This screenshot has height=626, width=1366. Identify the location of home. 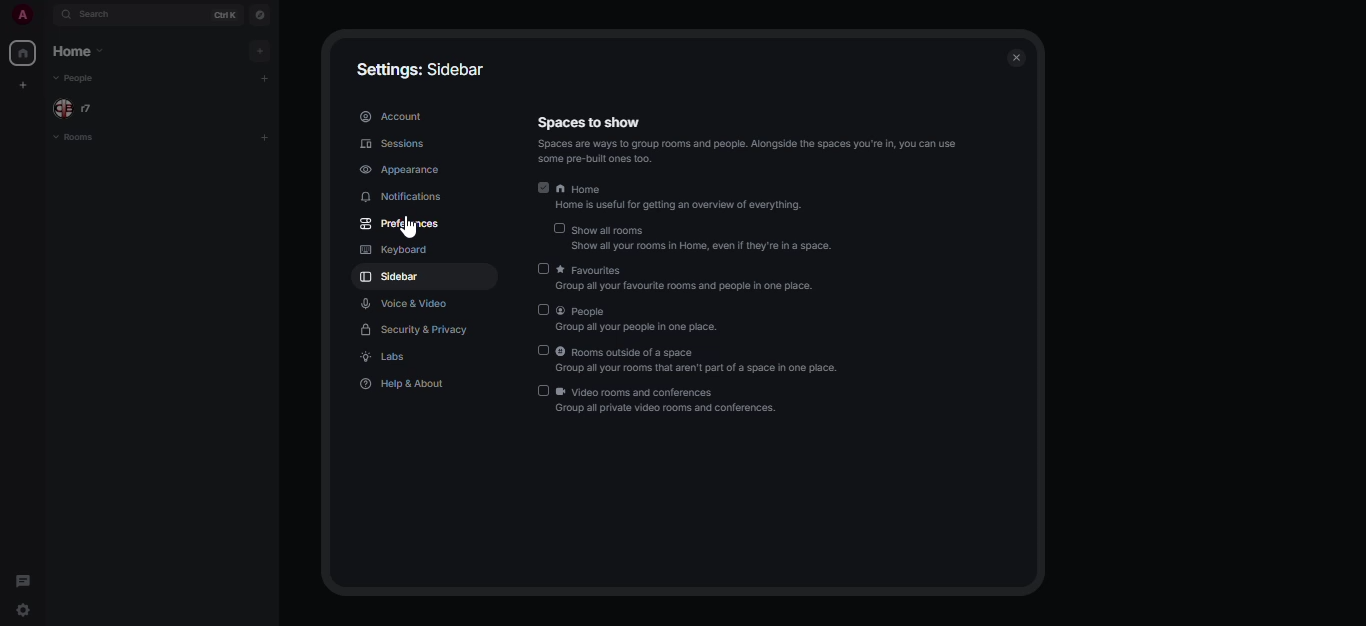
(23, 51).